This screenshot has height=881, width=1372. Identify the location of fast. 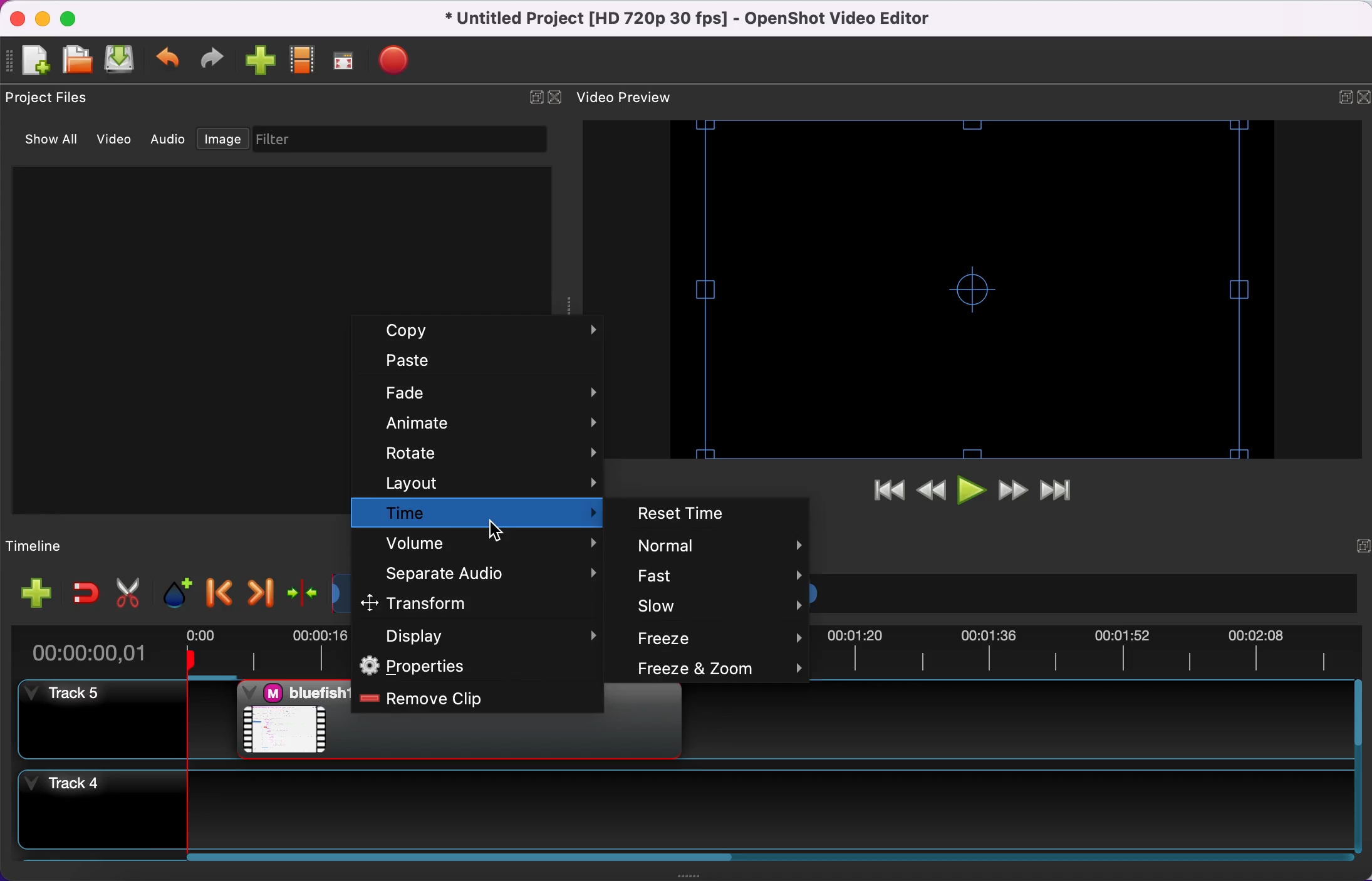
(715, 577).